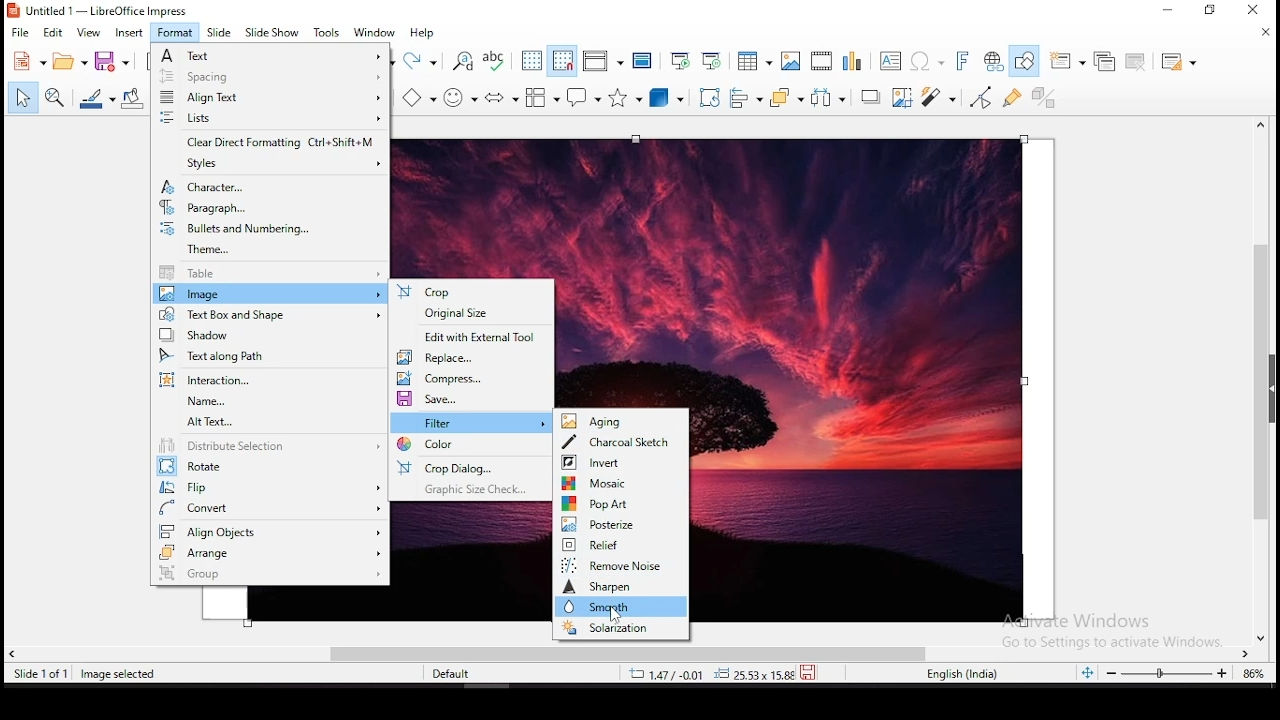 This screenshot has width=1280, height=720. Describe the element at coordinates (541, 97) in the screenshot. I see `flowchart` at that location.